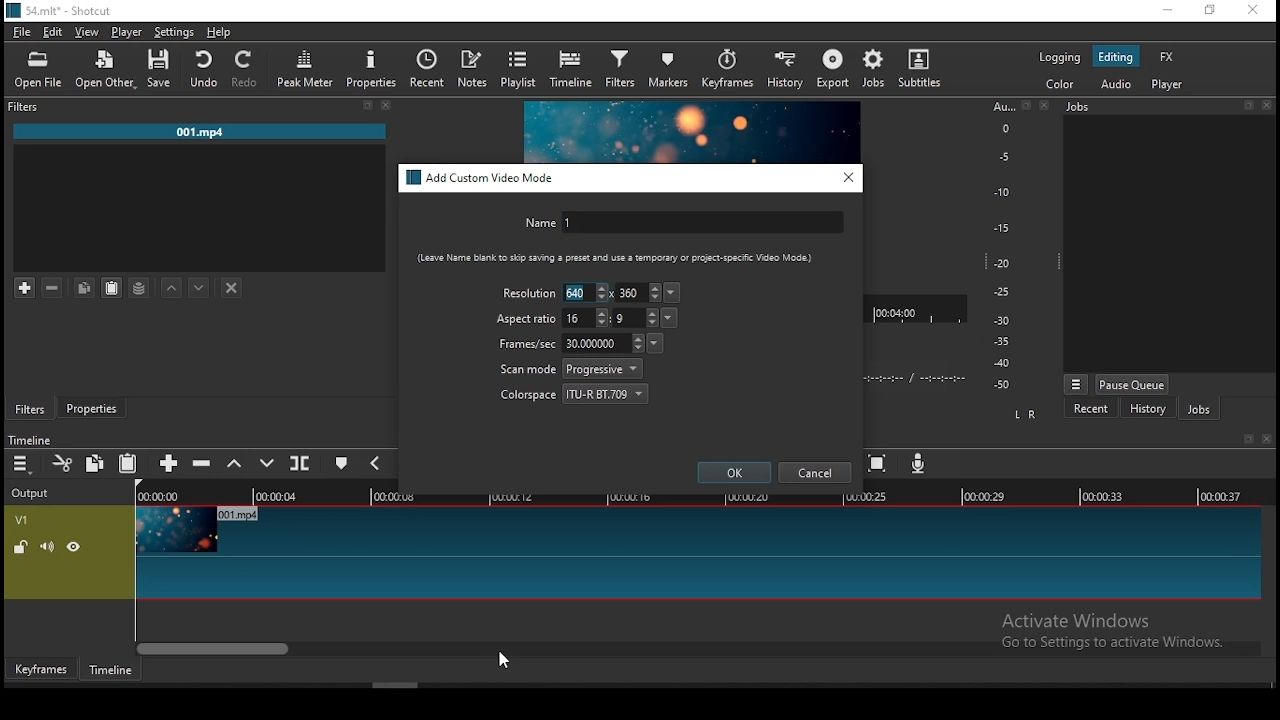  I want to click on resolution presets, so click(674, 293).